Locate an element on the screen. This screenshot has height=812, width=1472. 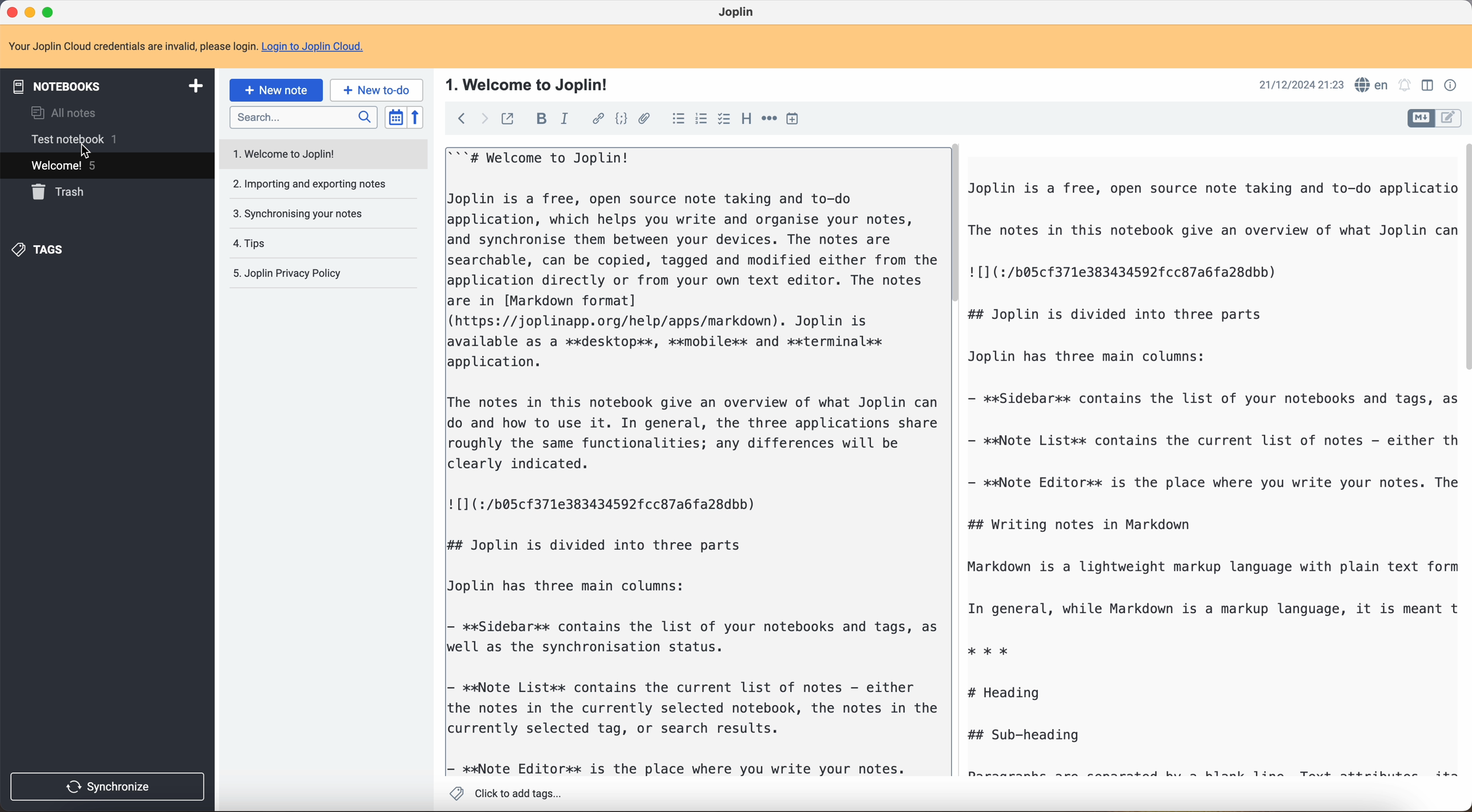
tags is located at coordinates (43, 252).